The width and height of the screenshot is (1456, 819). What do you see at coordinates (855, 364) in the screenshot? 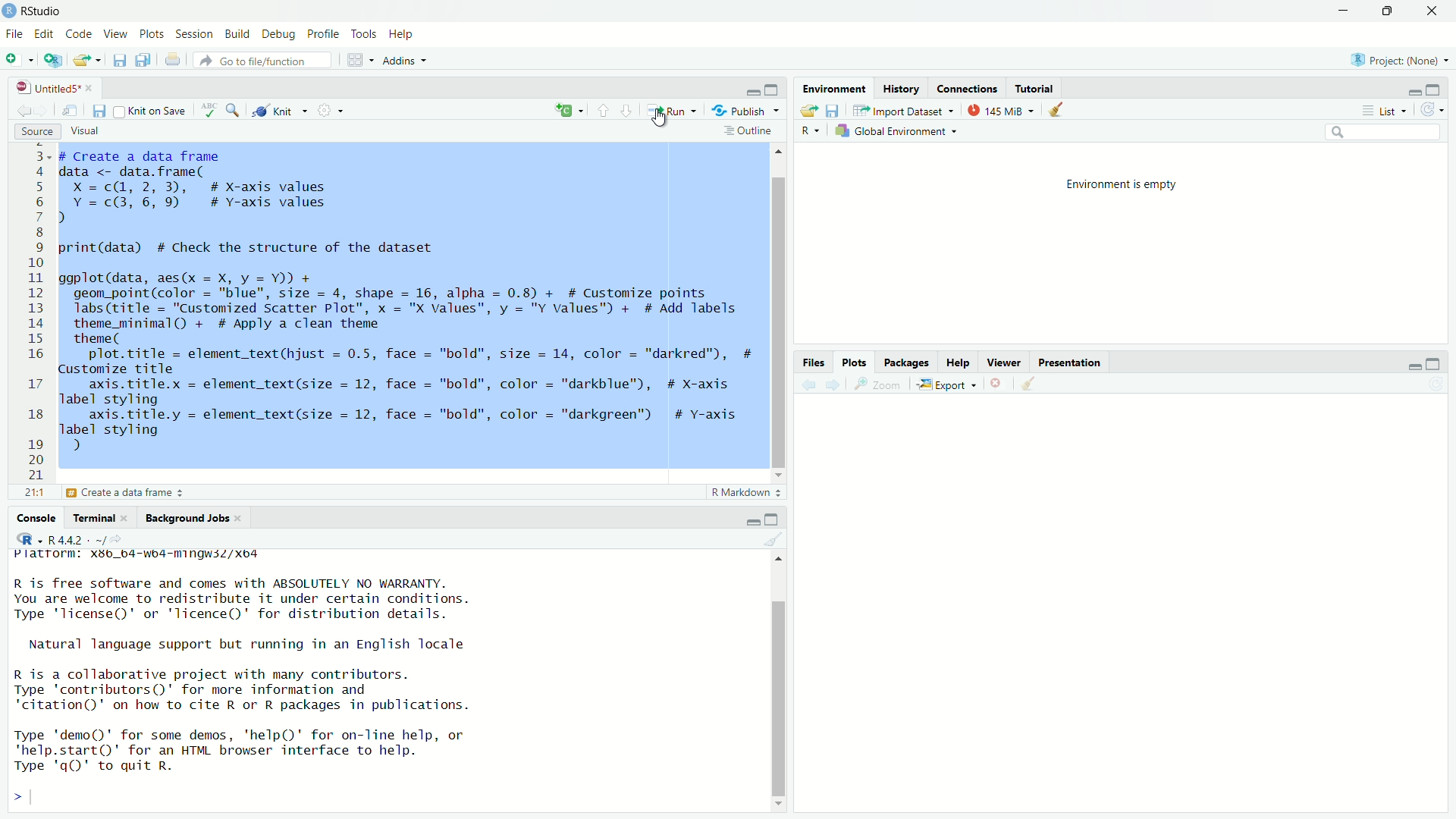
I see `Plots` at bounding box center [855, 364].